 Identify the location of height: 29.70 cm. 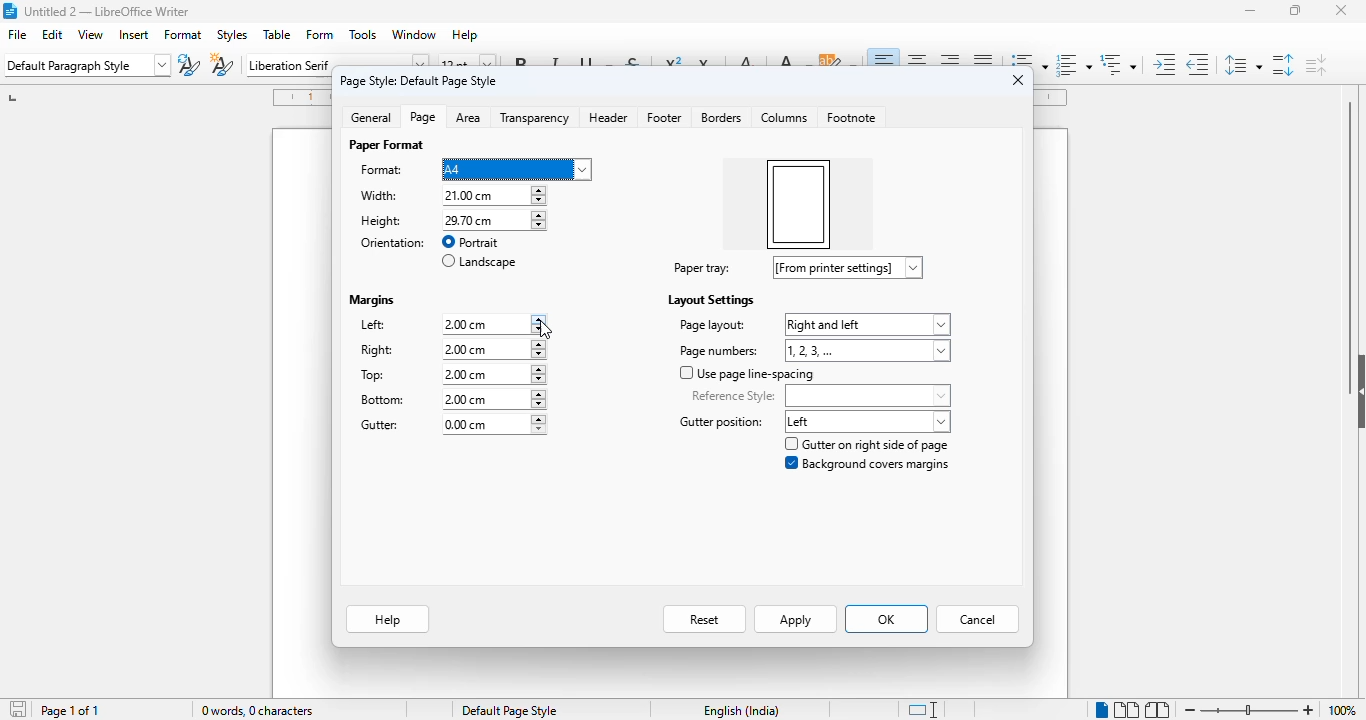
(384, 220).